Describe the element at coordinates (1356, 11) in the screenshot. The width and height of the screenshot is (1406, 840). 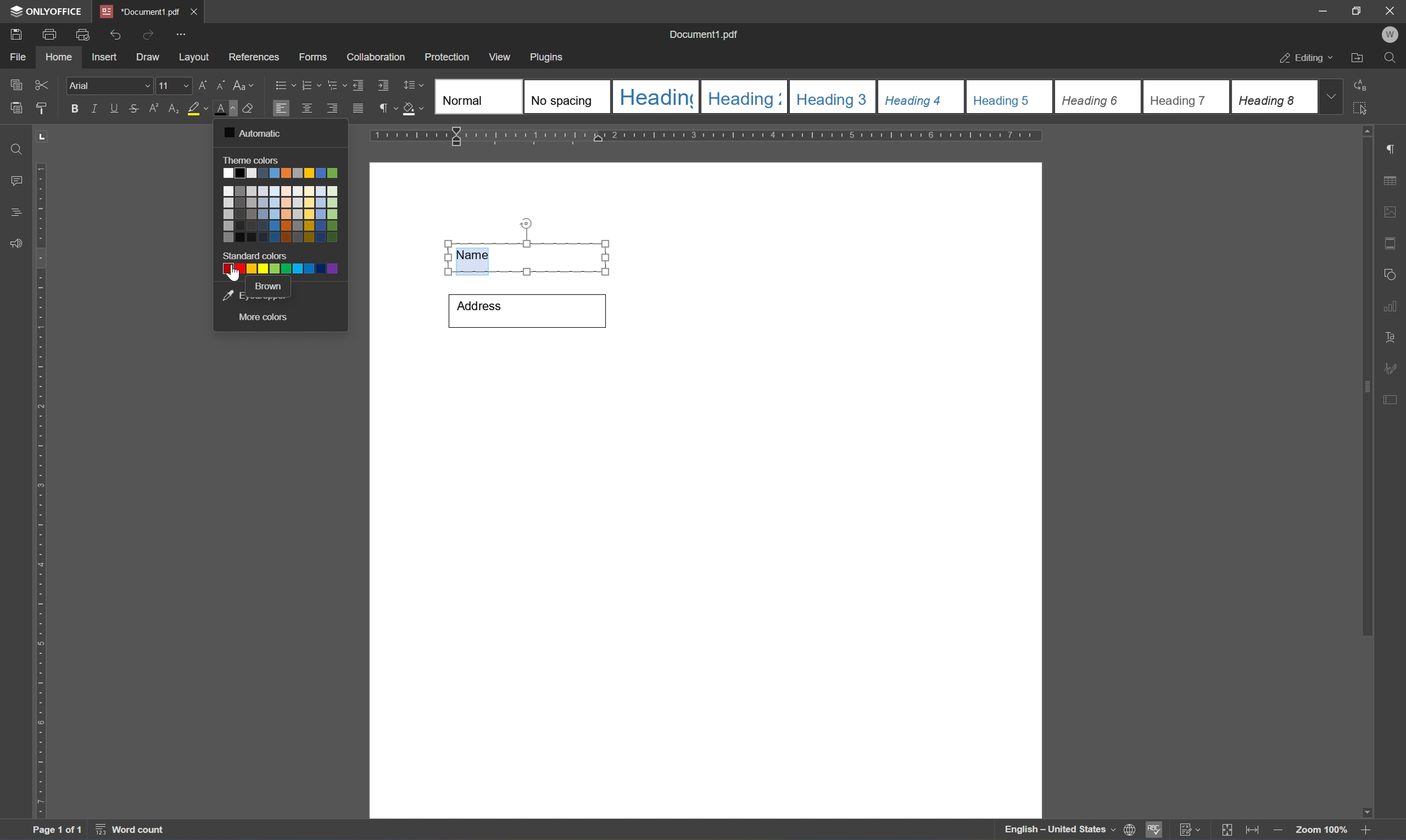
I see `restore down` at that location.